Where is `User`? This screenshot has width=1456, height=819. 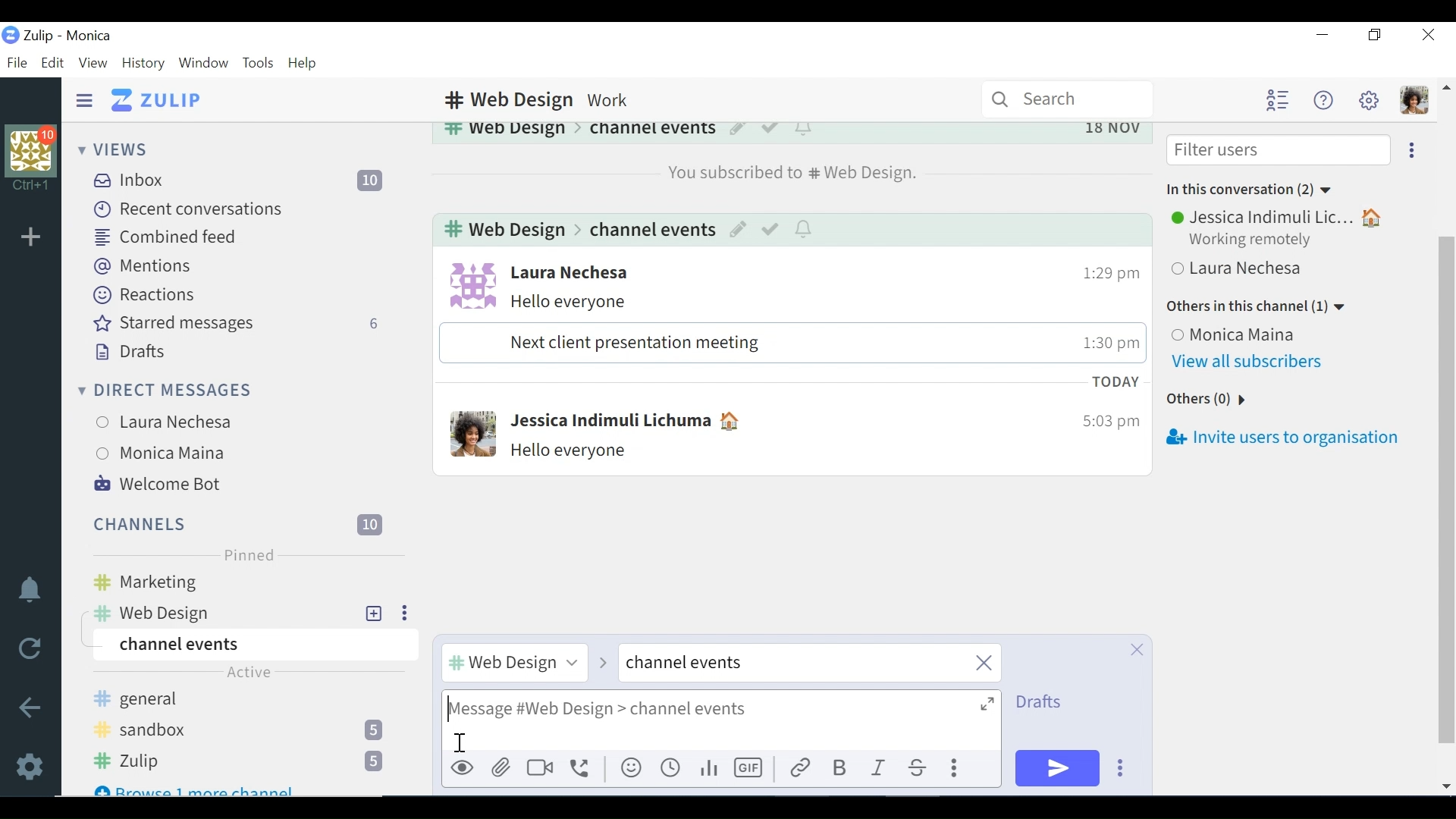 User is located at coordinates (1270, 268).